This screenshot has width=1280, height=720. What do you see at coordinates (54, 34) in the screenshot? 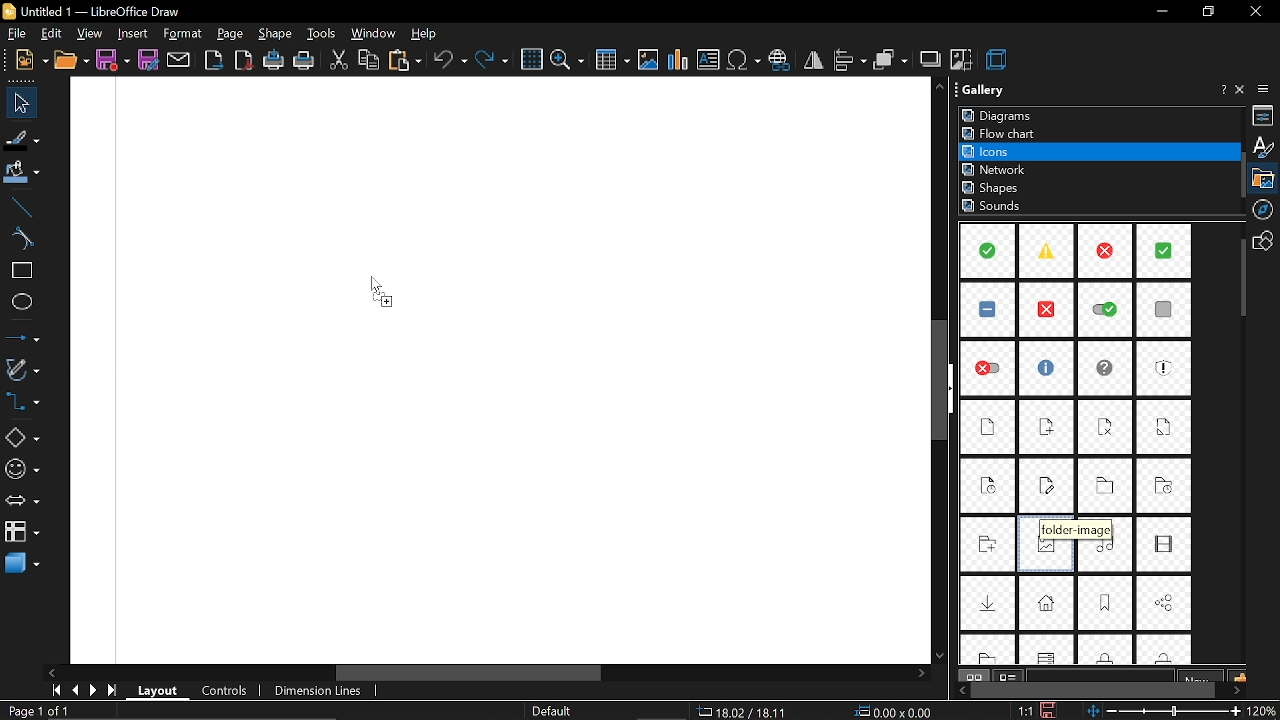
I see `edit` at bounding box center [54, 34].